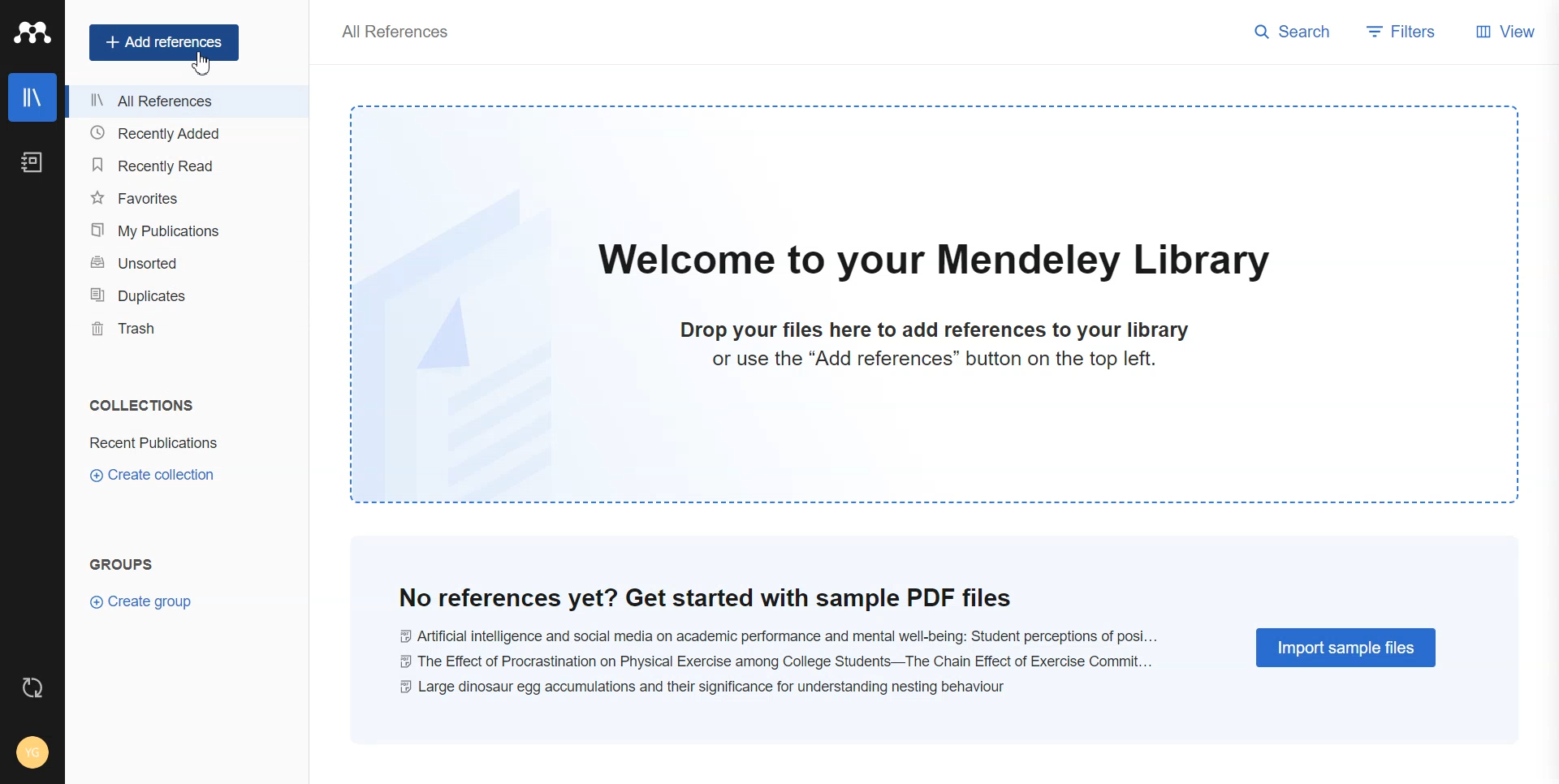  I want to click on Search, so click(1295, 32).